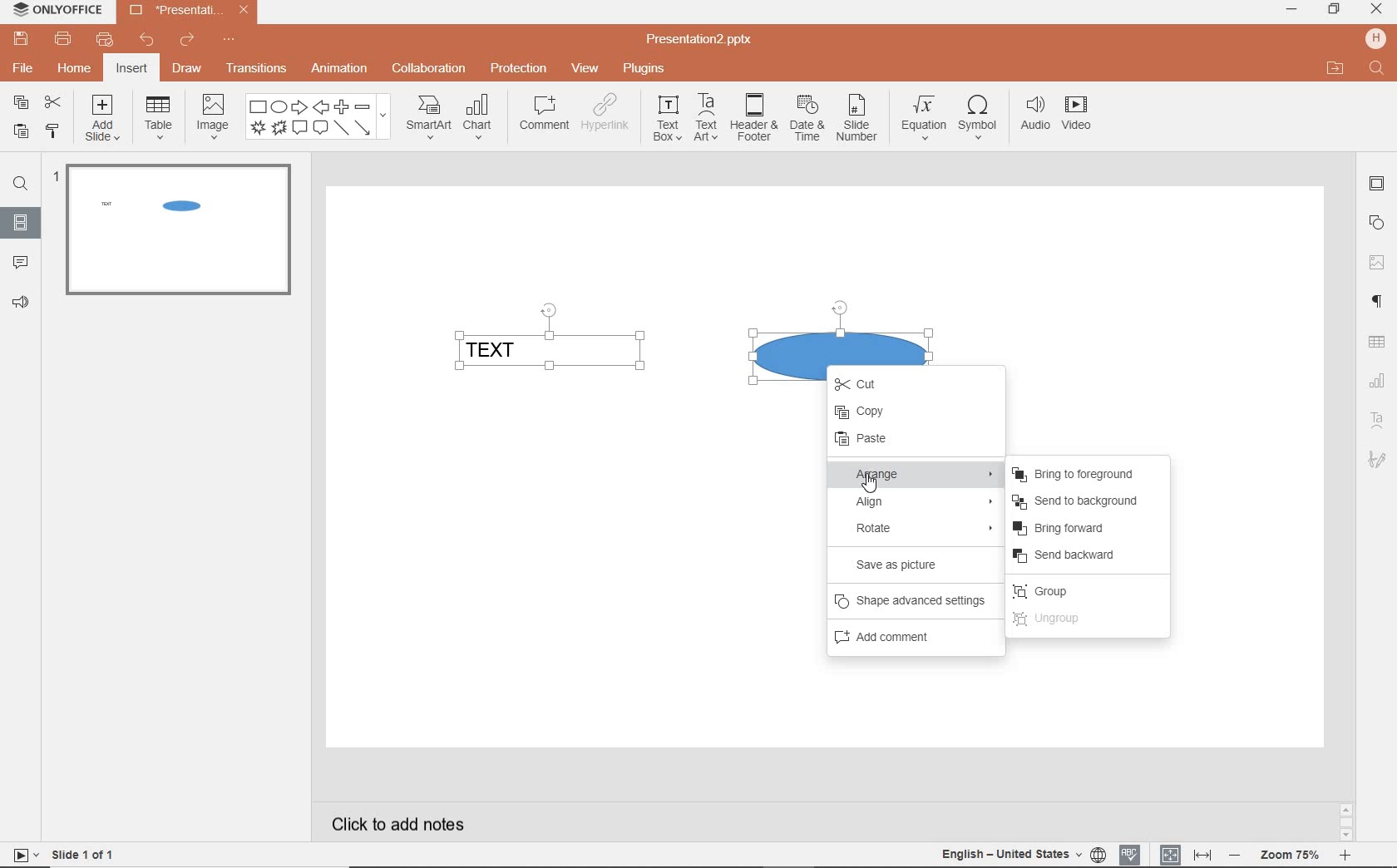 This screenshot has height=868, width=1397. I want to click on file, so click(24, 69).